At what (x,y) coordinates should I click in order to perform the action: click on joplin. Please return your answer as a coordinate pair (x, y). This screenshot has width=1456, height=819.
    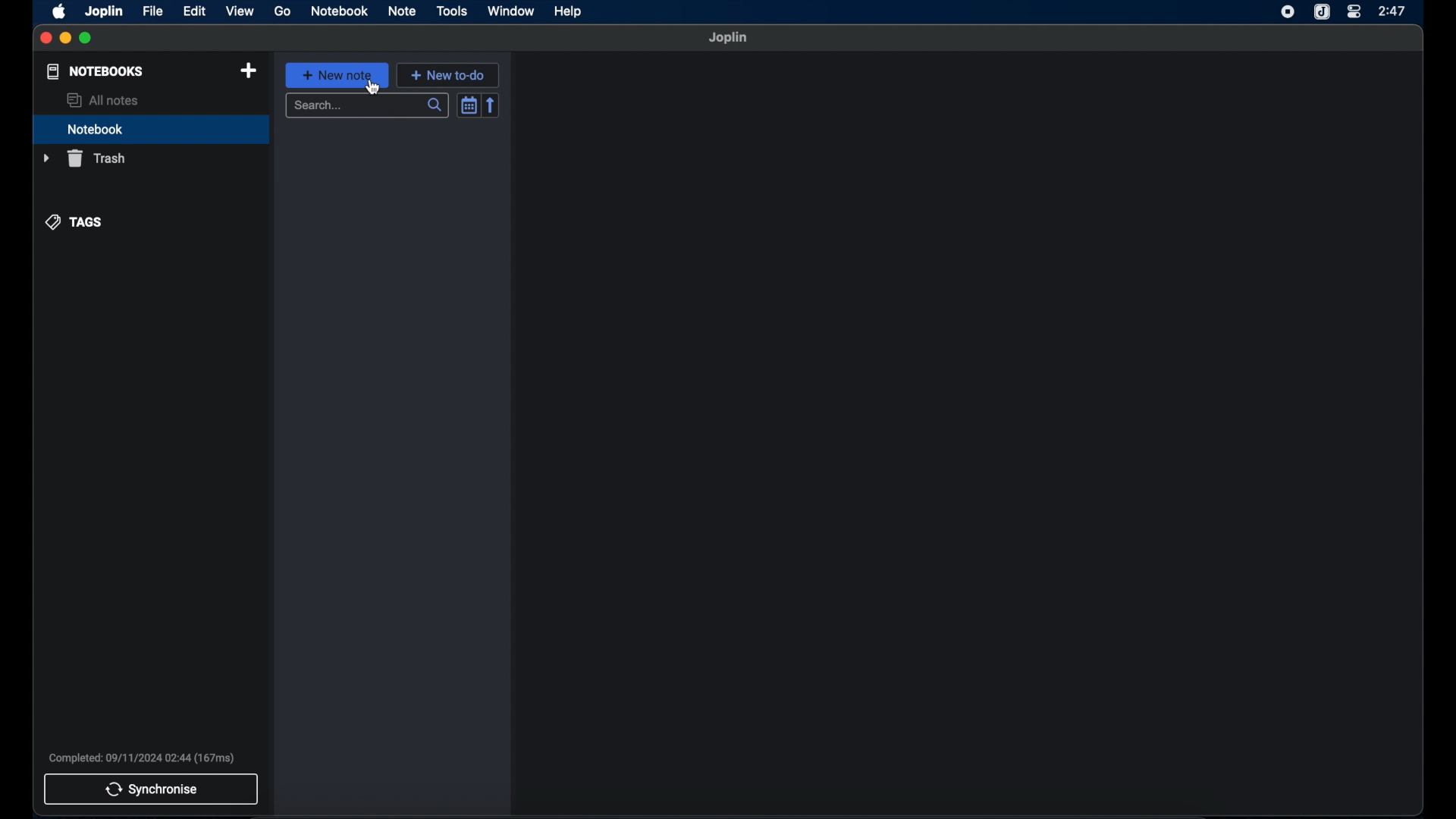
    Looking at the image, I should click on (105, 12).